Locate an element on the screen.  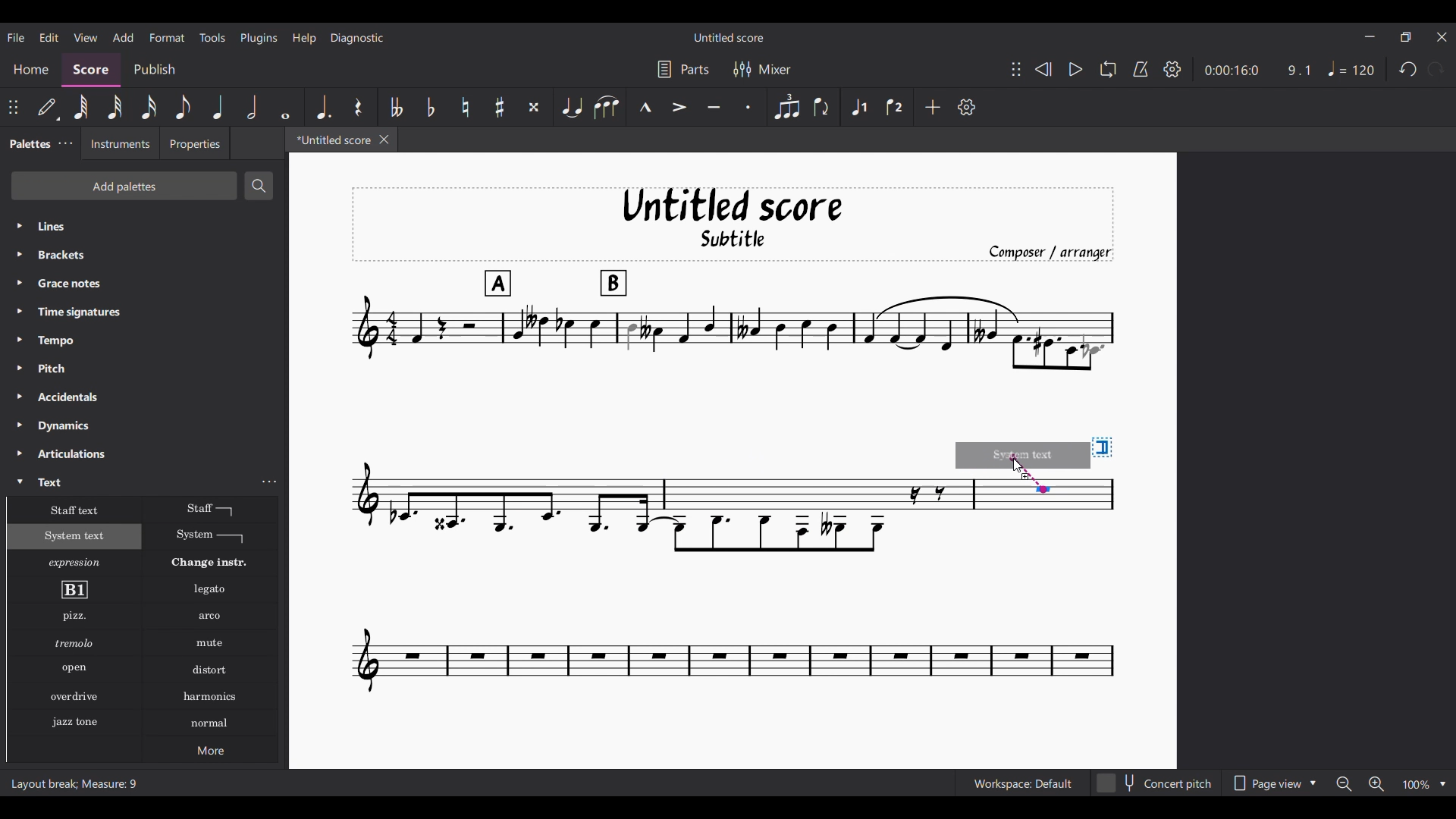
Current score is located at coordinates (1037, 314).